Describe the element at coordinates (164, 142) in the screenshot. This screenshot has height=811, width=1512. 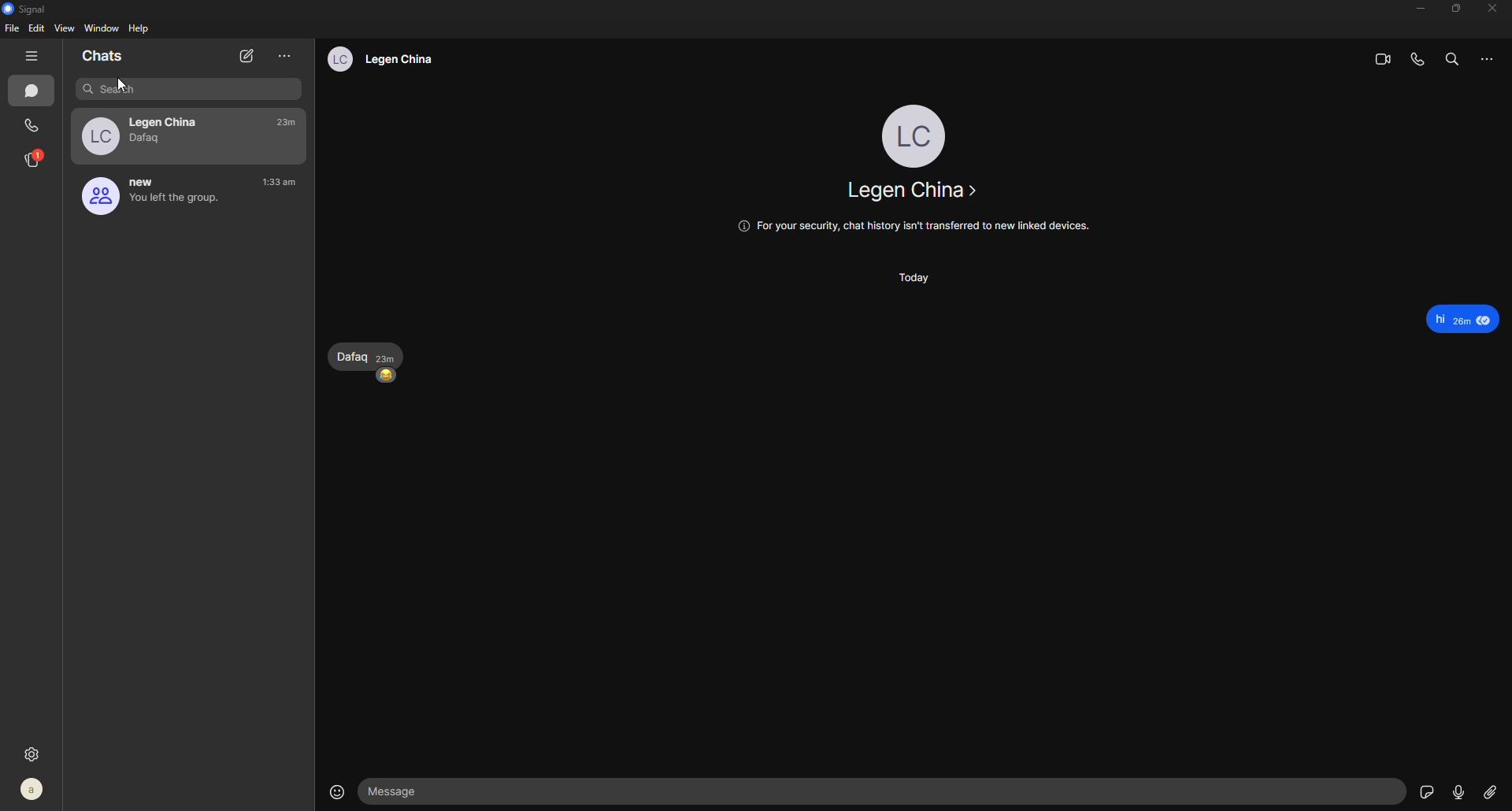
I see `dafaq` at that location.